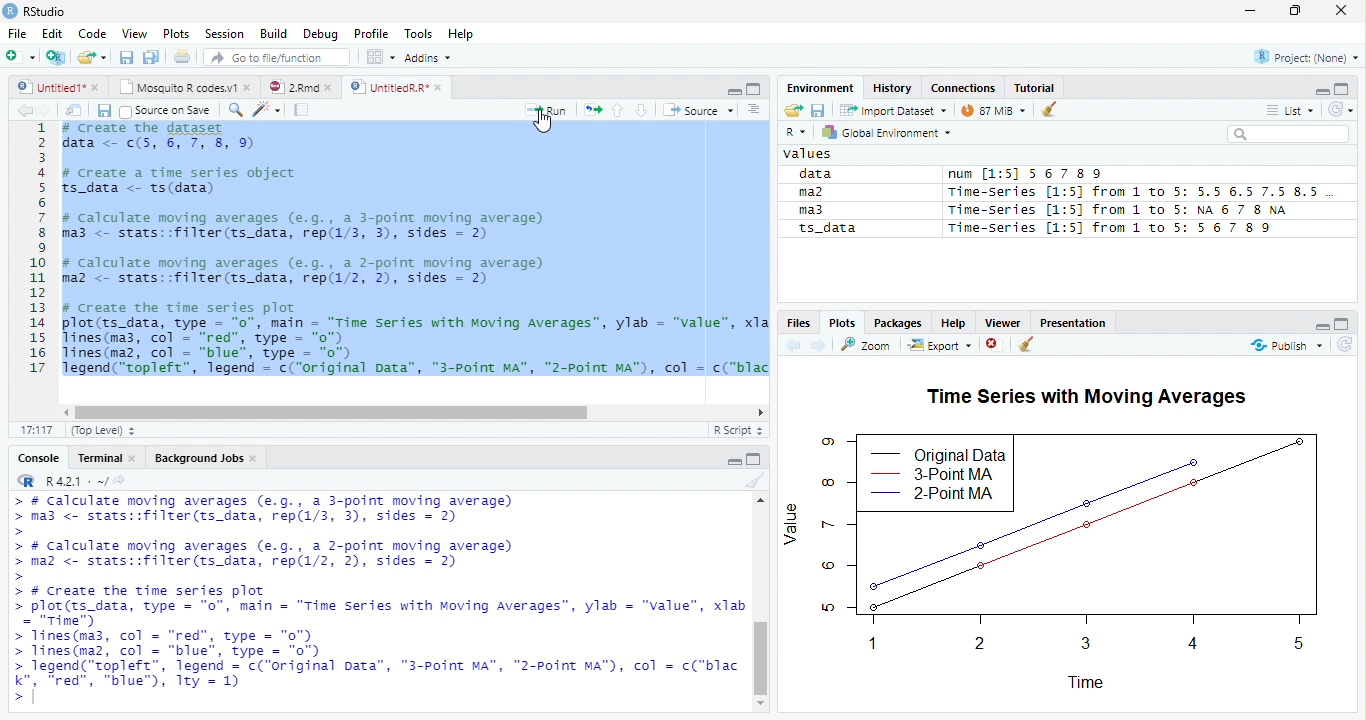 This screenshot has height=720, width=1366. What do you see at coordinates (951, 323) in the screenshot?
I see `Help` at bounding box center [951, 323].